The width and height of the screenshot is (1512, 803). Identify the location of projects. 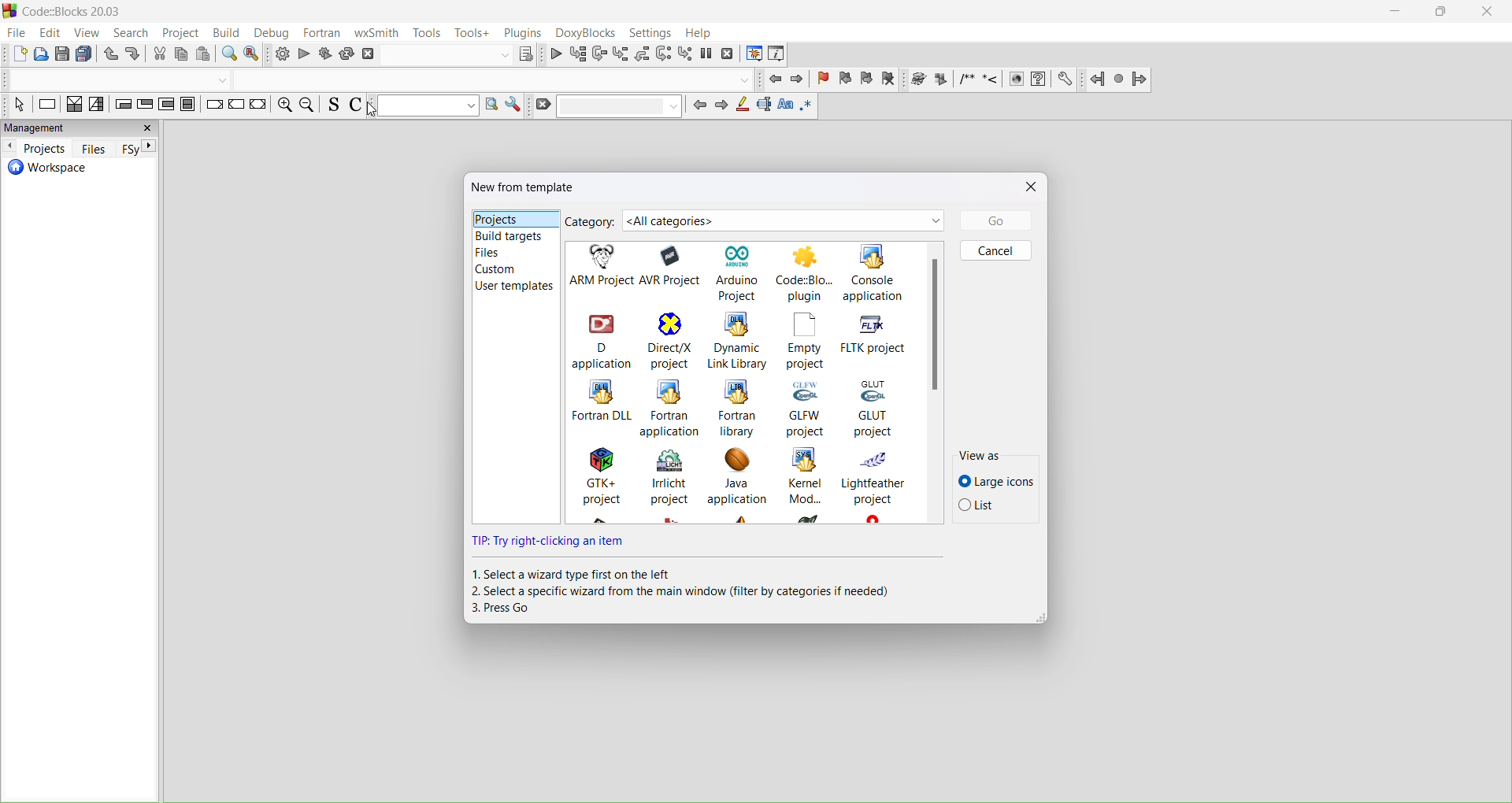
(511, 218).